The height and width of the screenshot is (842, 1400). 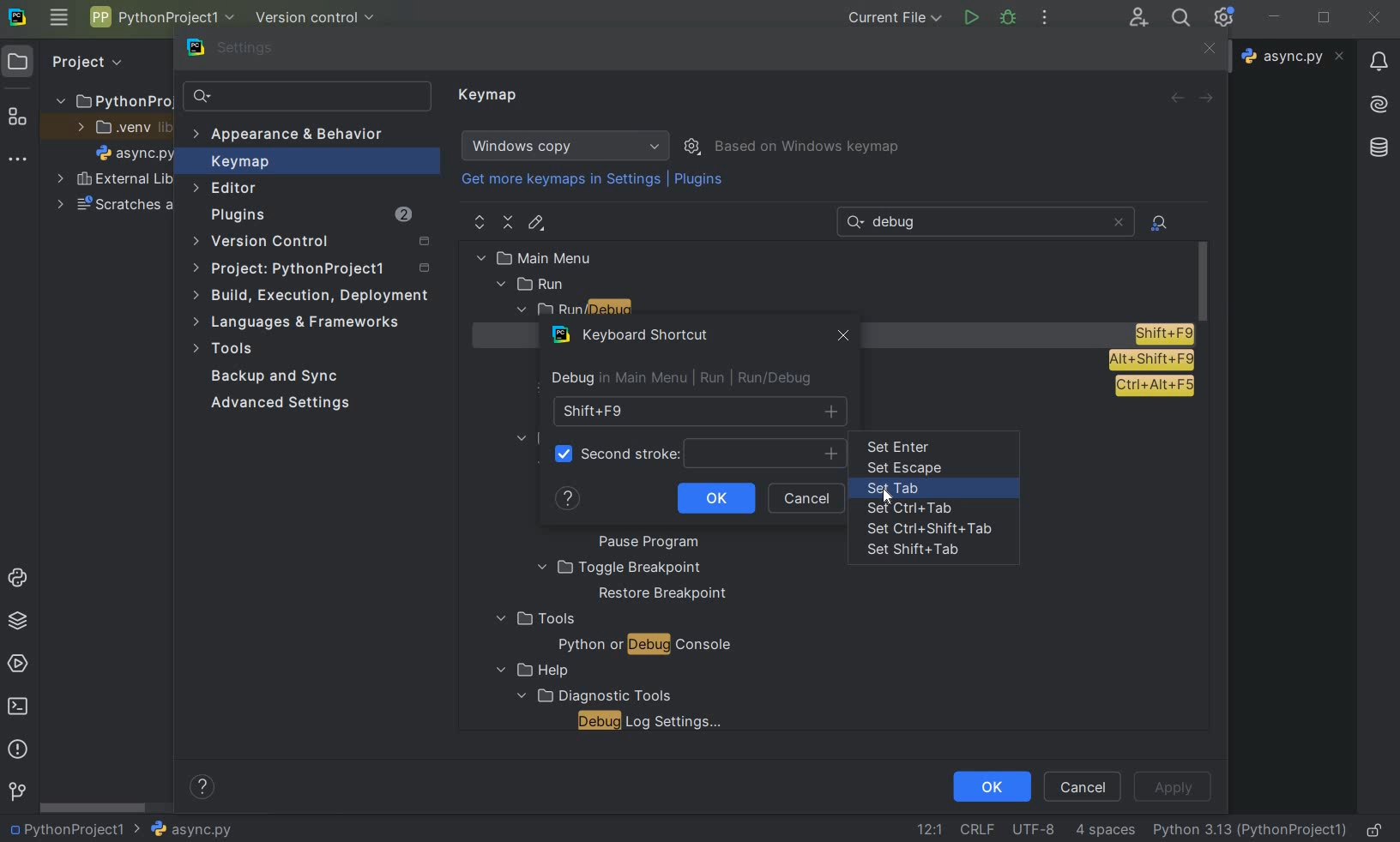 I want to click on search settings, so click(x=308, y=97).